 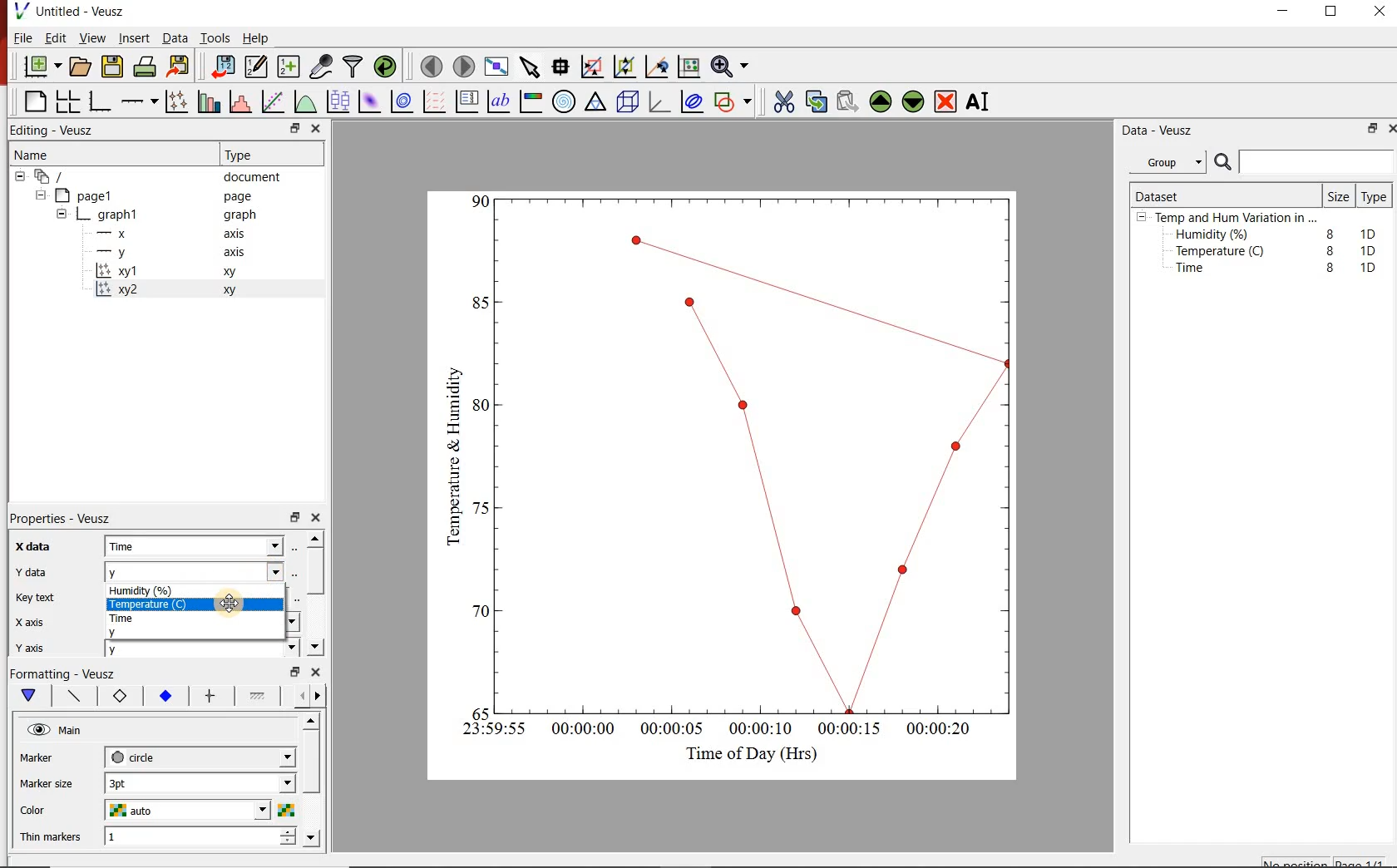 I want to click on y axis dropdown, so click(x=259, y=650).